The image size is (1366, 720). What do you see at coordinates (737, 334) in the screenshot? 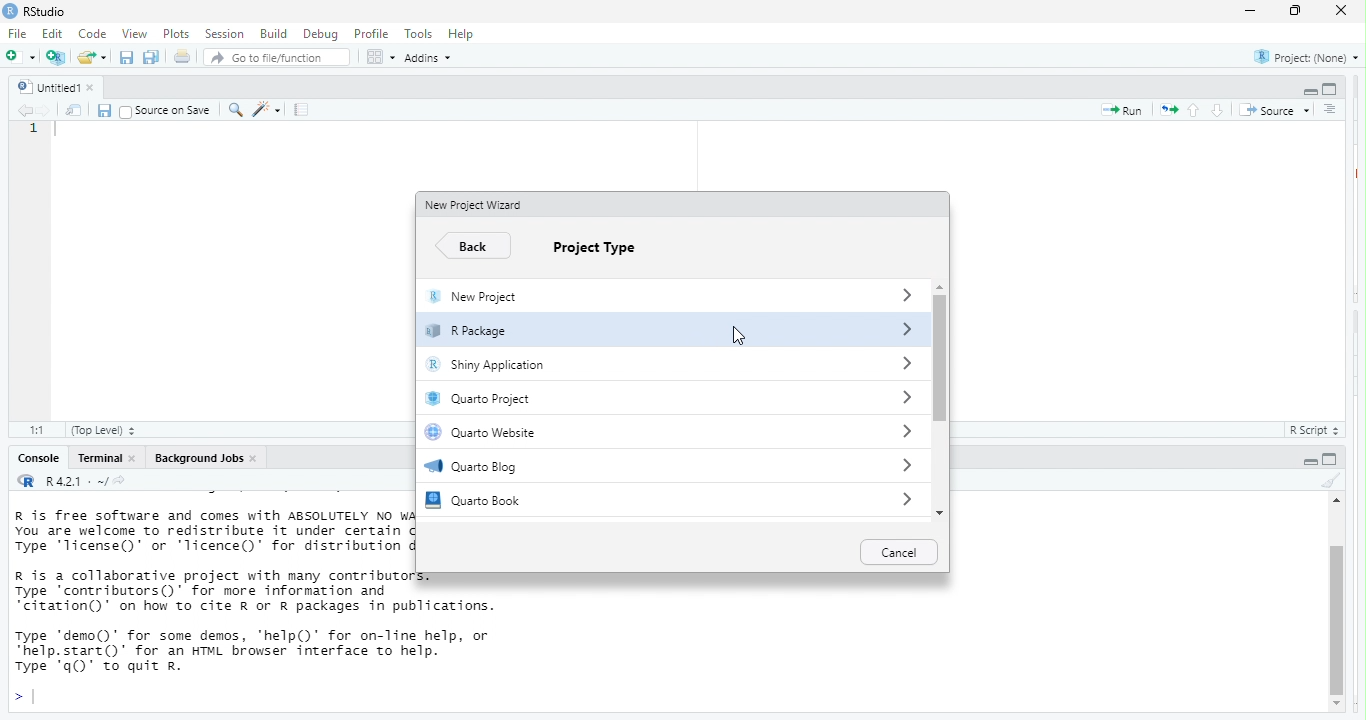
I see `cursor movement` at bounding box center [737, 334].